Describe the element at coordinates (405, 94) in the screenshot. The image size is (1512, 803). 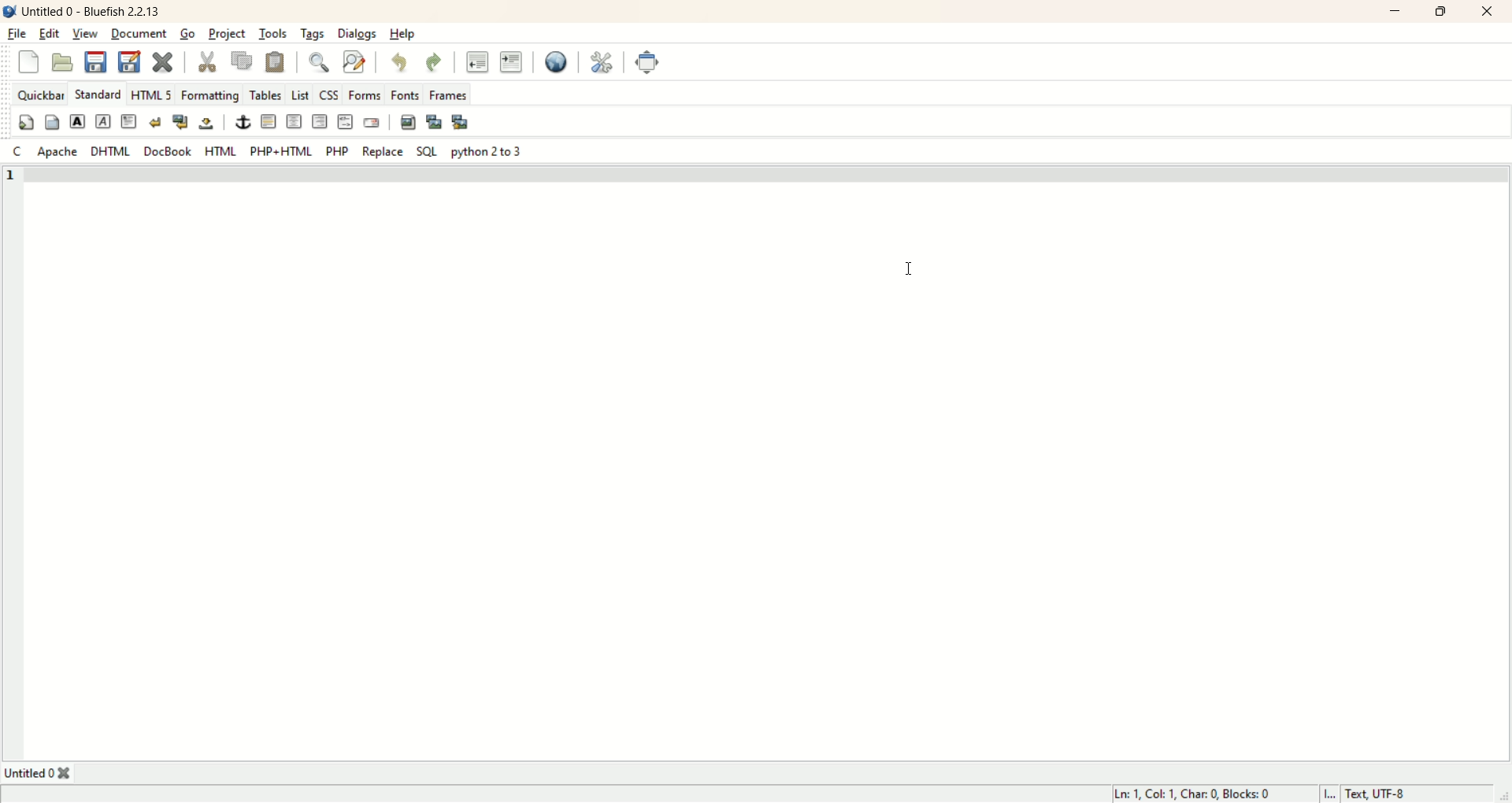
I see `fonts` at that location.